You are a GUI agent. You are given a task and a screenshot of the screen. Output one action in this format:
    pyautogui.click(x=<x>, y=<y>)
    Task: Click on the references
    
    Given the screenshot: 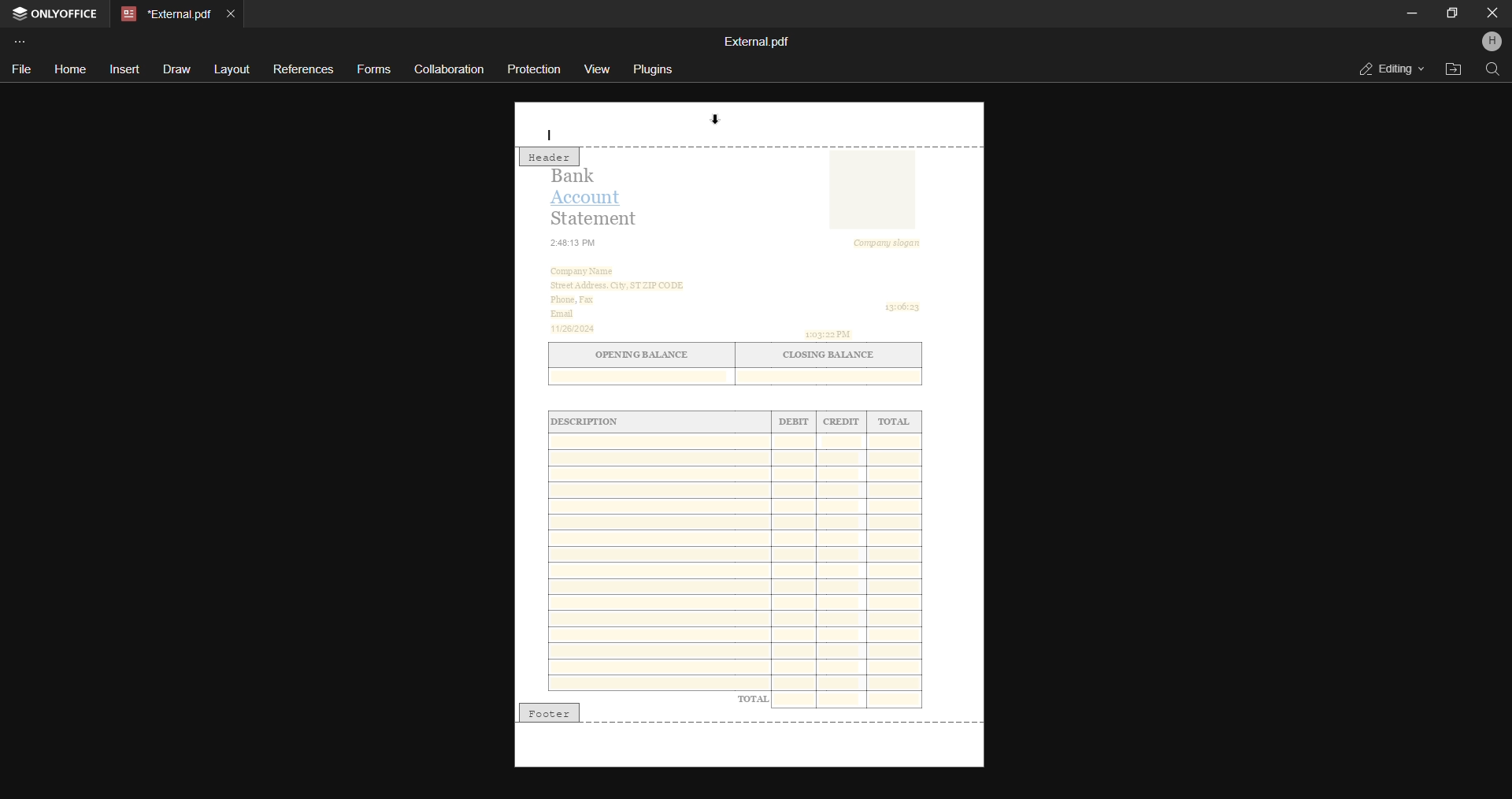 What is the action you would take?
    pyautogui.click(x=302, y=69)
    